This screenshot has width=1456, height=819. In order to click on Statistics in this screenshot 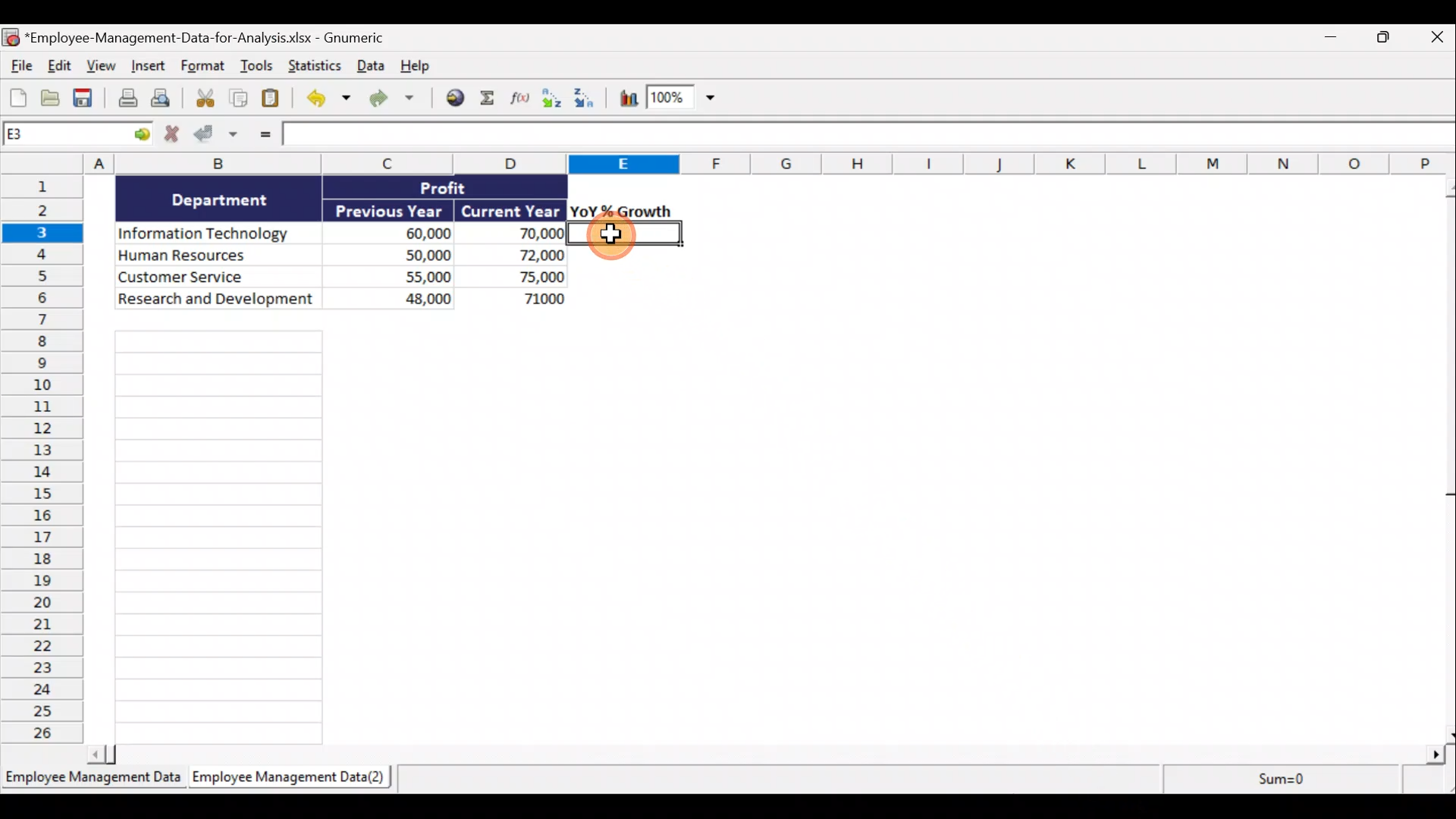, I will do `click(312, 66)`.